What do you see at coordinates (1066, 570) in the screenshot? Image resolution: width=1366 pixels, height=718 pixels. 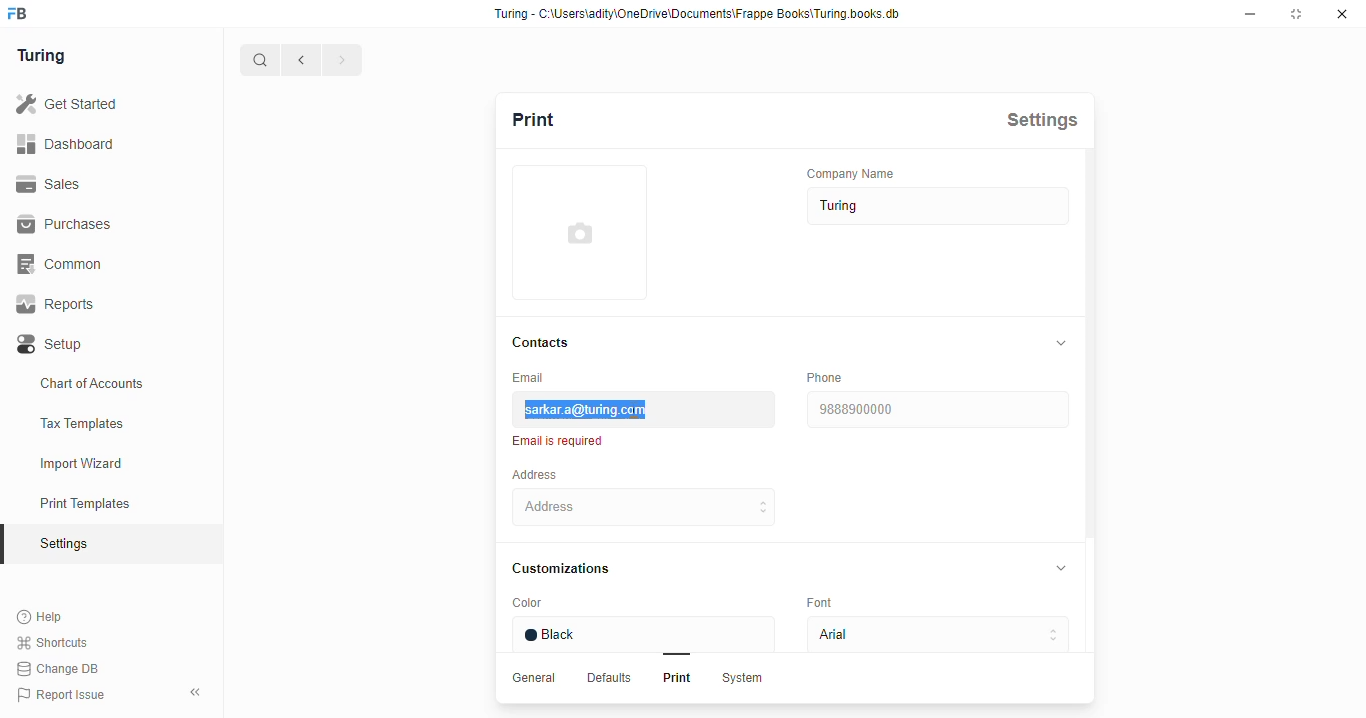 I see `collapse` at bounding box center [1066, 570].